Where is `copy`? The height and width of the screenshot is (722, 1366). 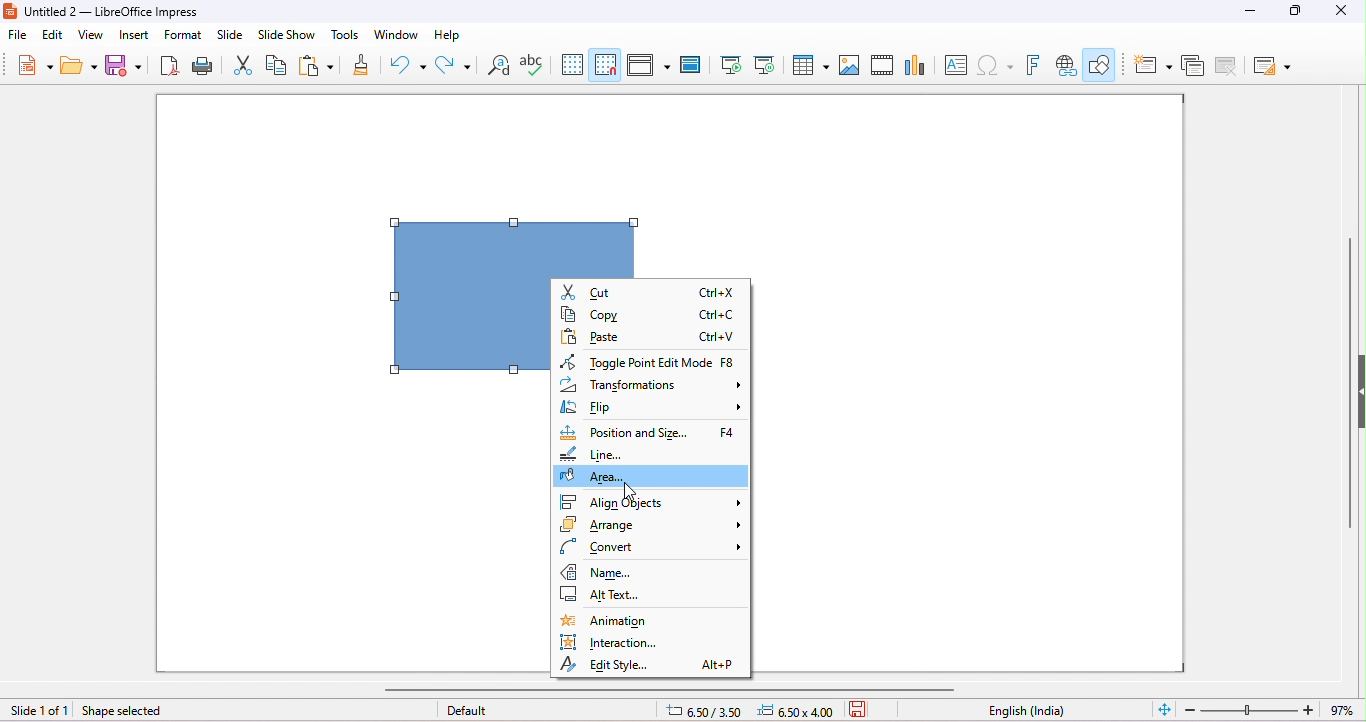 copy is located at coordinates (276, 64).